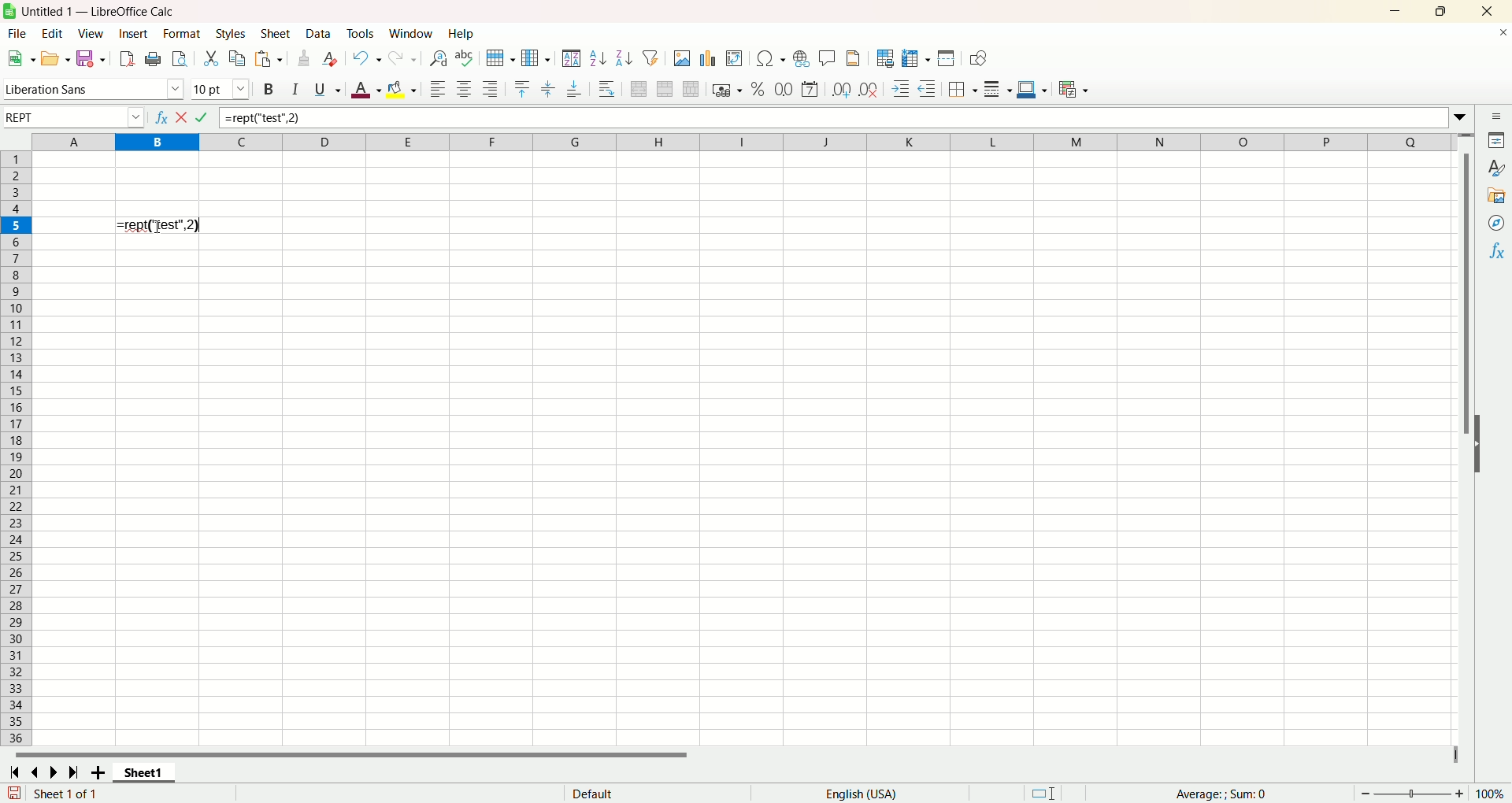  What do you see at coordinates (523, 87) in the screenshot?
I see `align top` at bounding box center [523, 87].